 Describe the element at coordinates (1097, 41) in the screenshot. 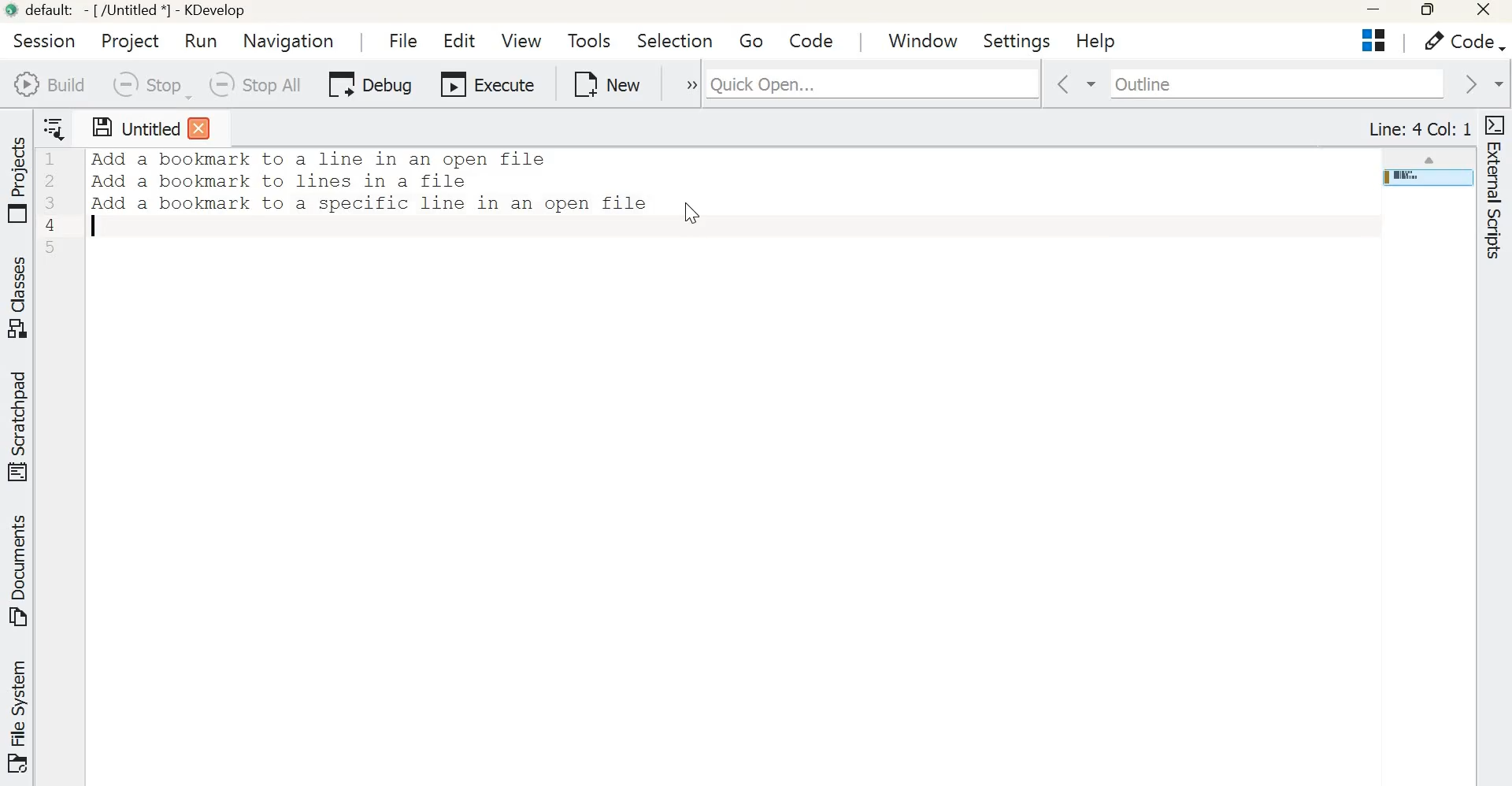

I see `Help` at that location.